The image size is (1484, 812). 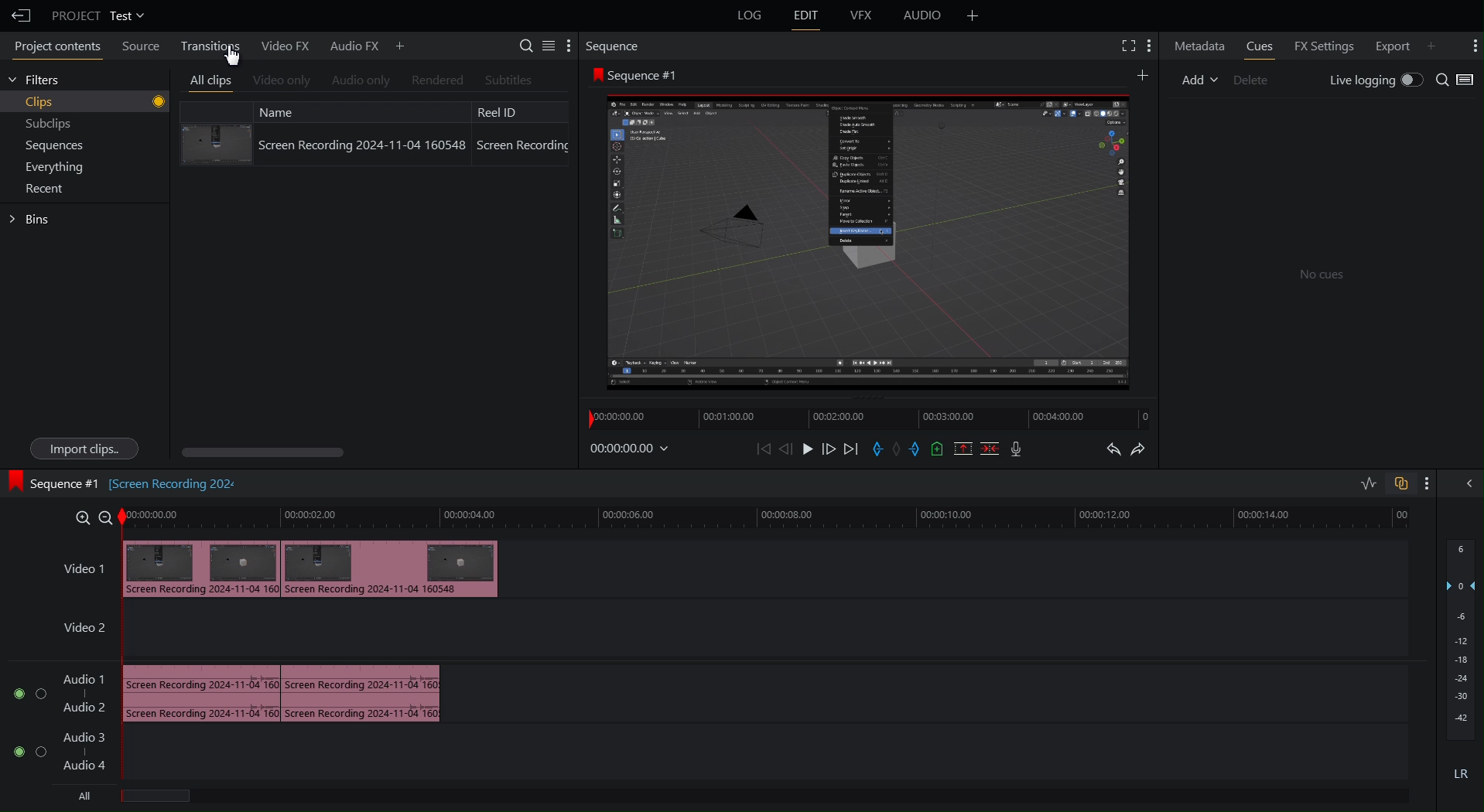 I want to click on Skip Forward, so click(x=850, y=450).